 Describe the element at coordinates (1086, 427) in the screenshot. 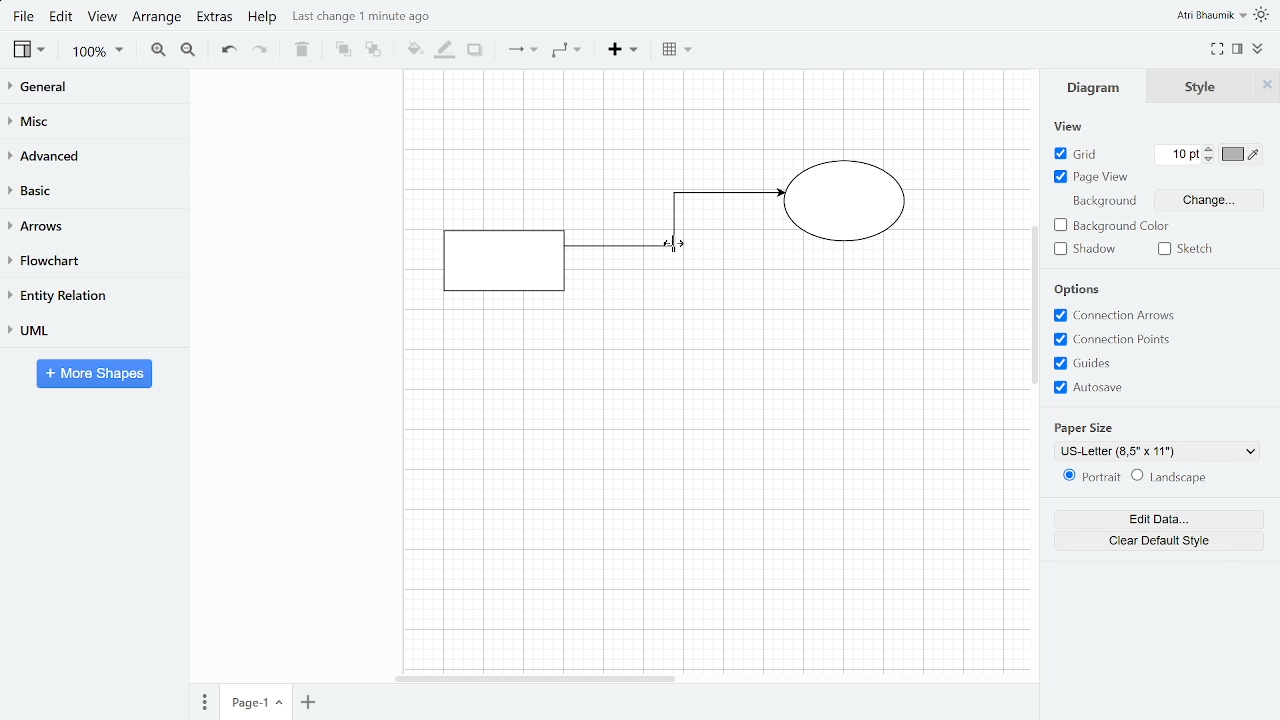

I see `paper size` at that location.